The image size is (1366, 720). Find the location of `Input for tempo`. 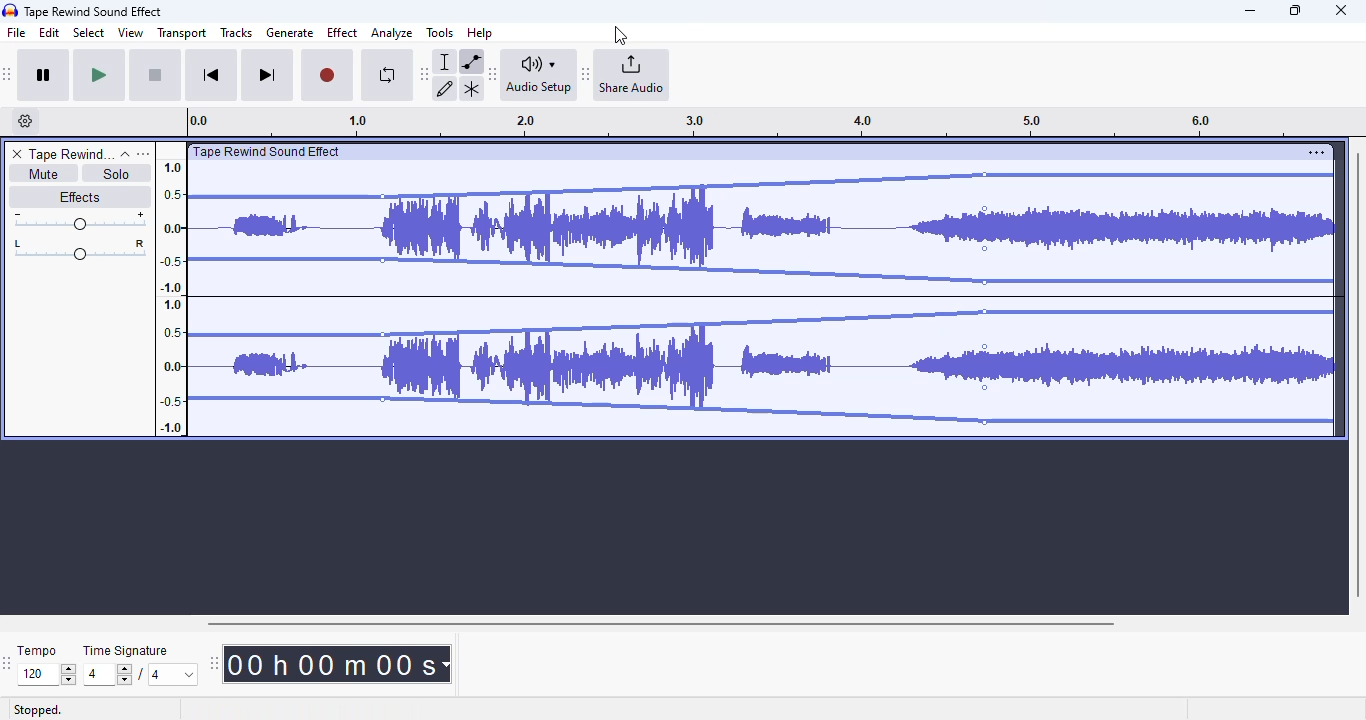

Input for tempo is located at coordinates (46, 675).